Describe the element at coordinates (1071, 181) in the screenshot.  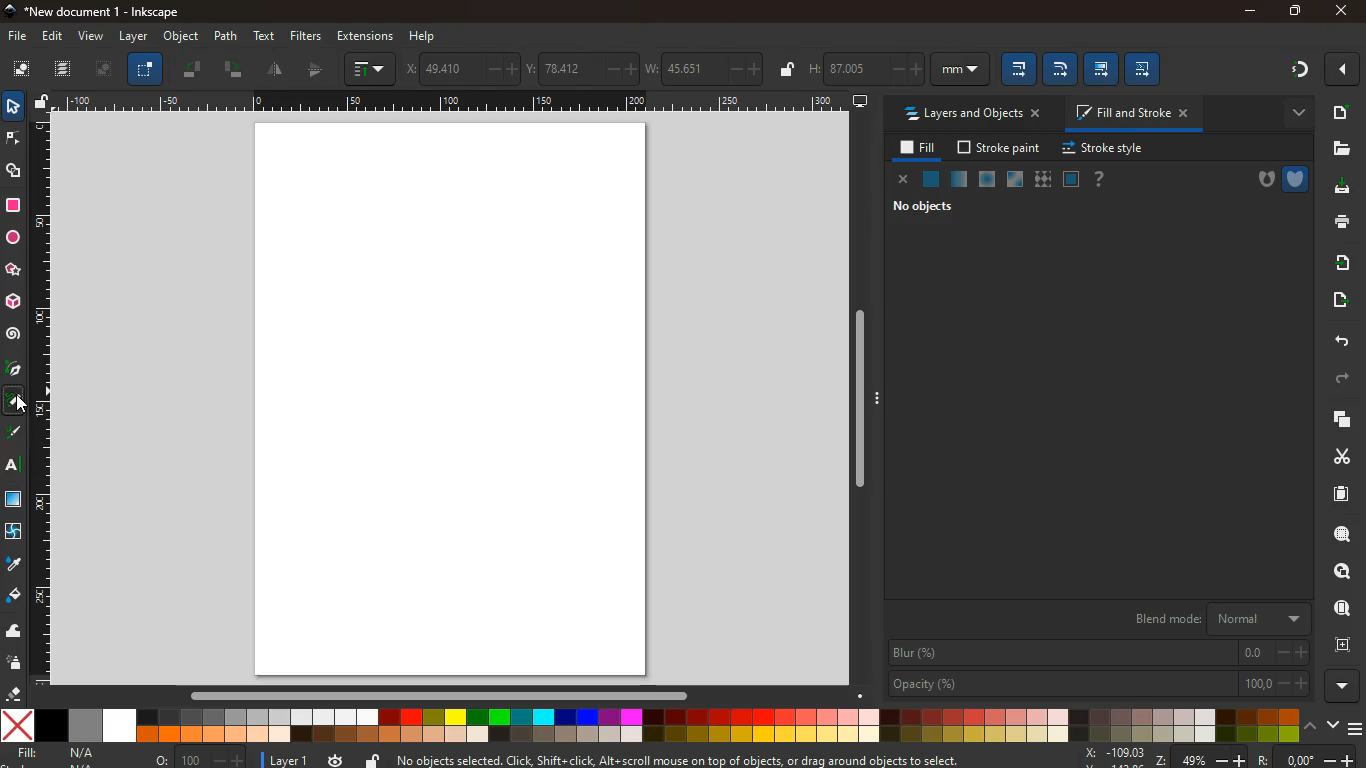
I see `square` at that location.